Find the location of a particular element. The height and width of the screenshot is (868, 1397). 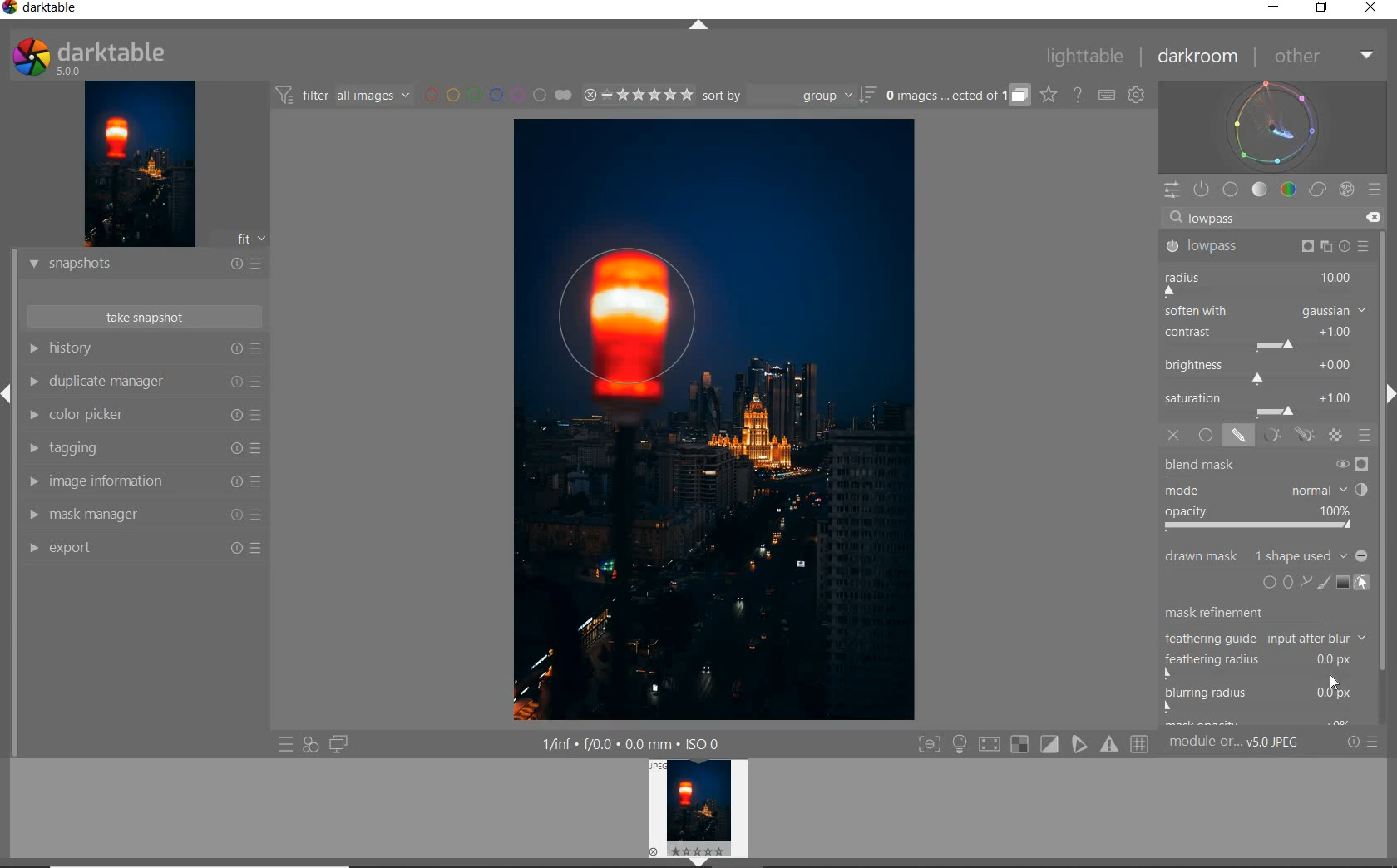

WAVEFORM is located at coordinates (1275, 126).